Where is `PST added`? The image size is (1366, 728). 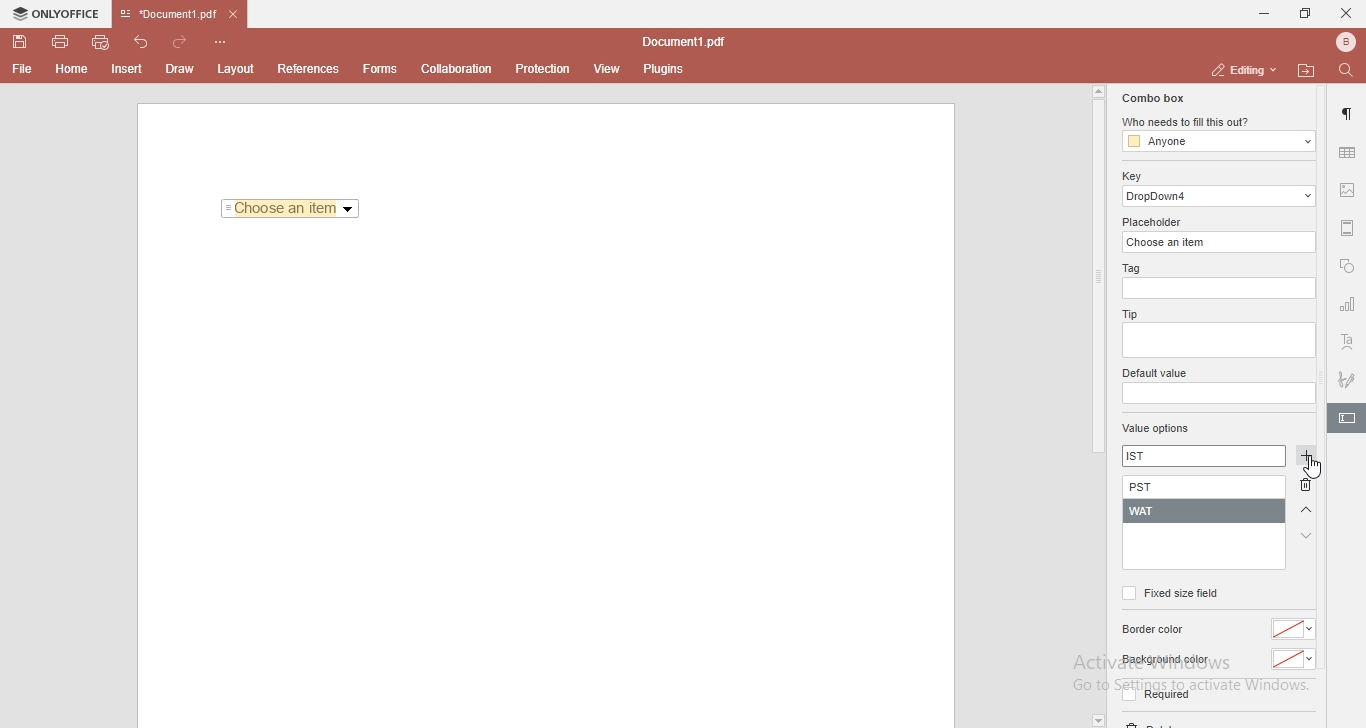 PST added is located at coordinates (1208, 488).